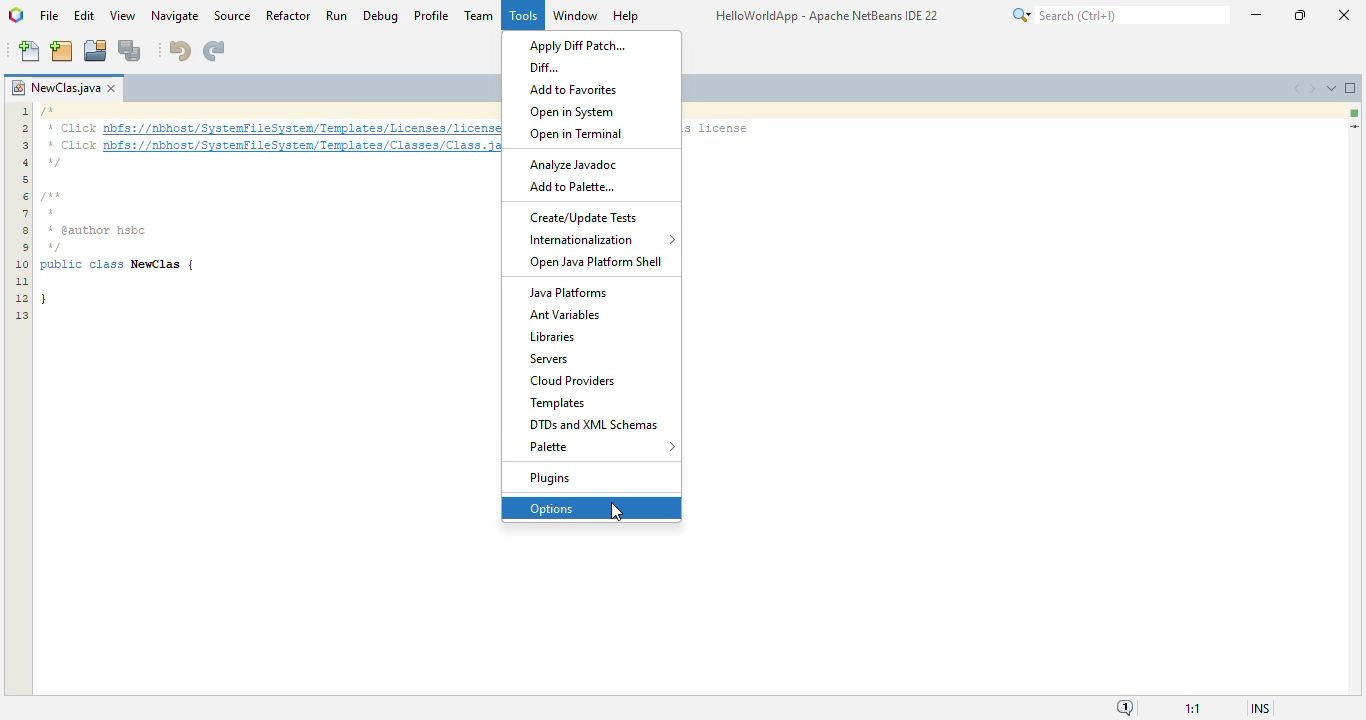 Image resolution: width=1366 pixels, height=720 pixels. I want to click on create/update tests, so click(586, 217).